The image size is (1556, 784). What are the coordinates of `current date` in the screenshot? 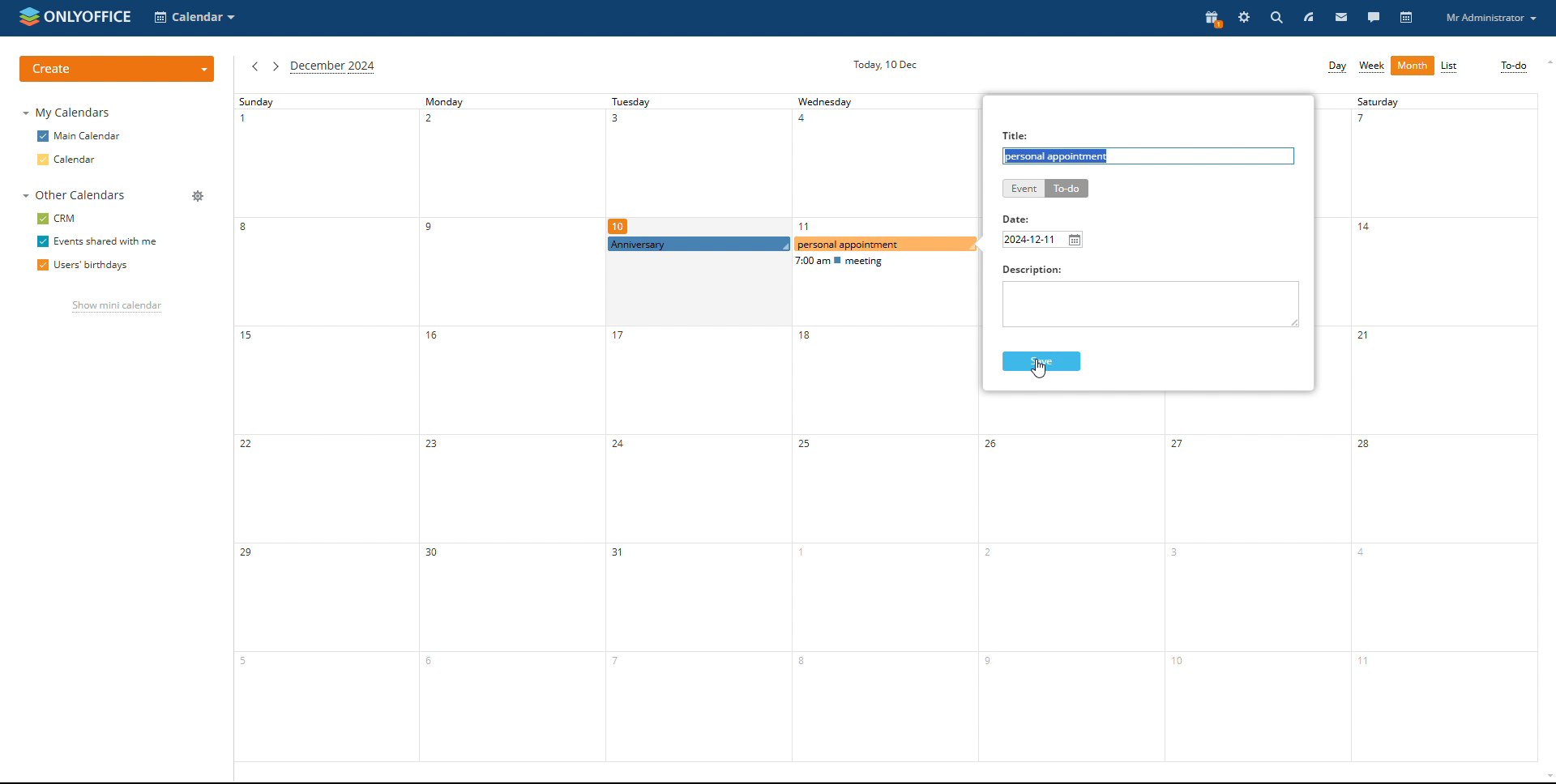 It's located at (885, 65).